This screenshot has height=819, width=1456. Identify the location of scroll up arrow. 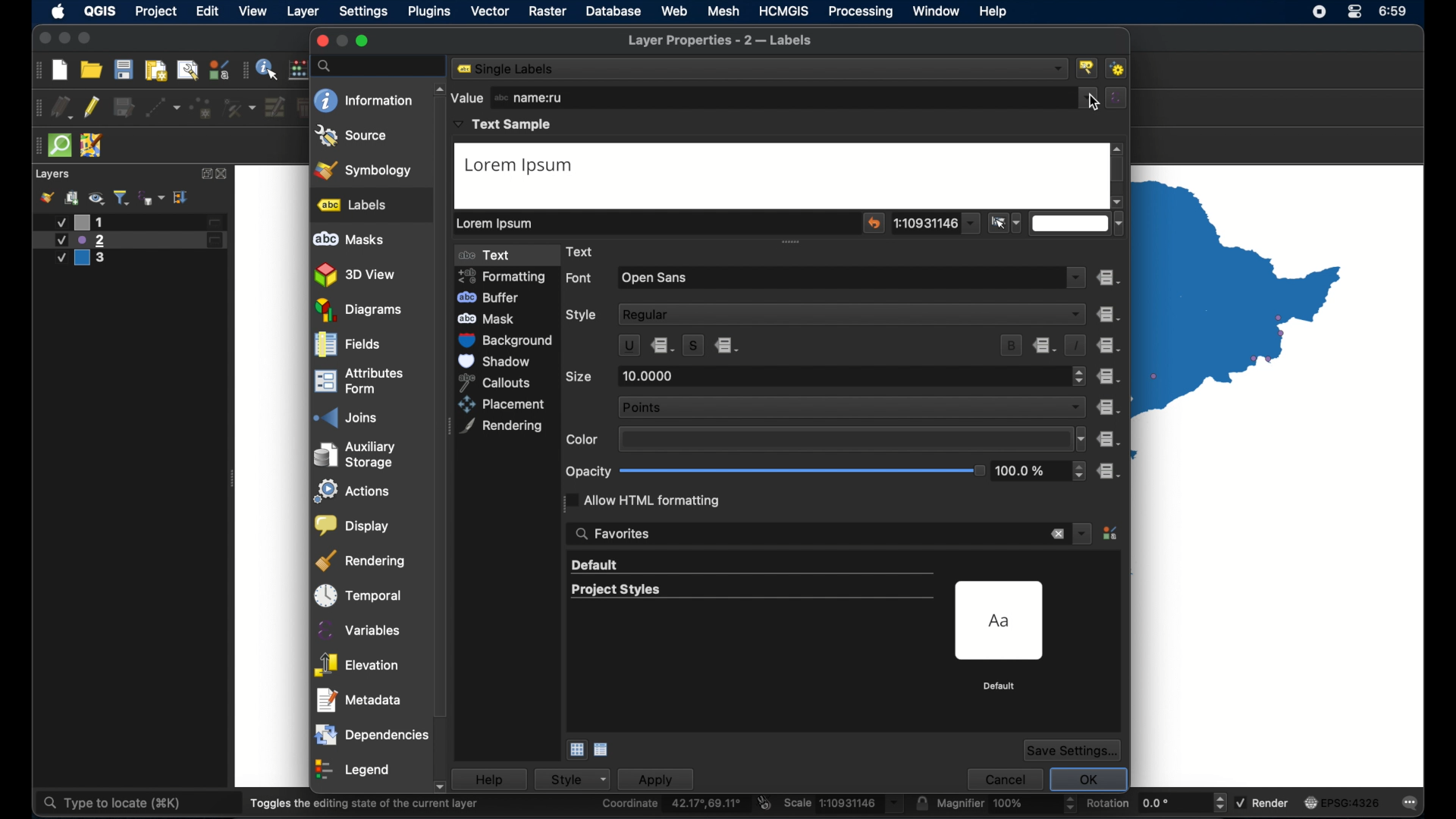
(1119, 149).